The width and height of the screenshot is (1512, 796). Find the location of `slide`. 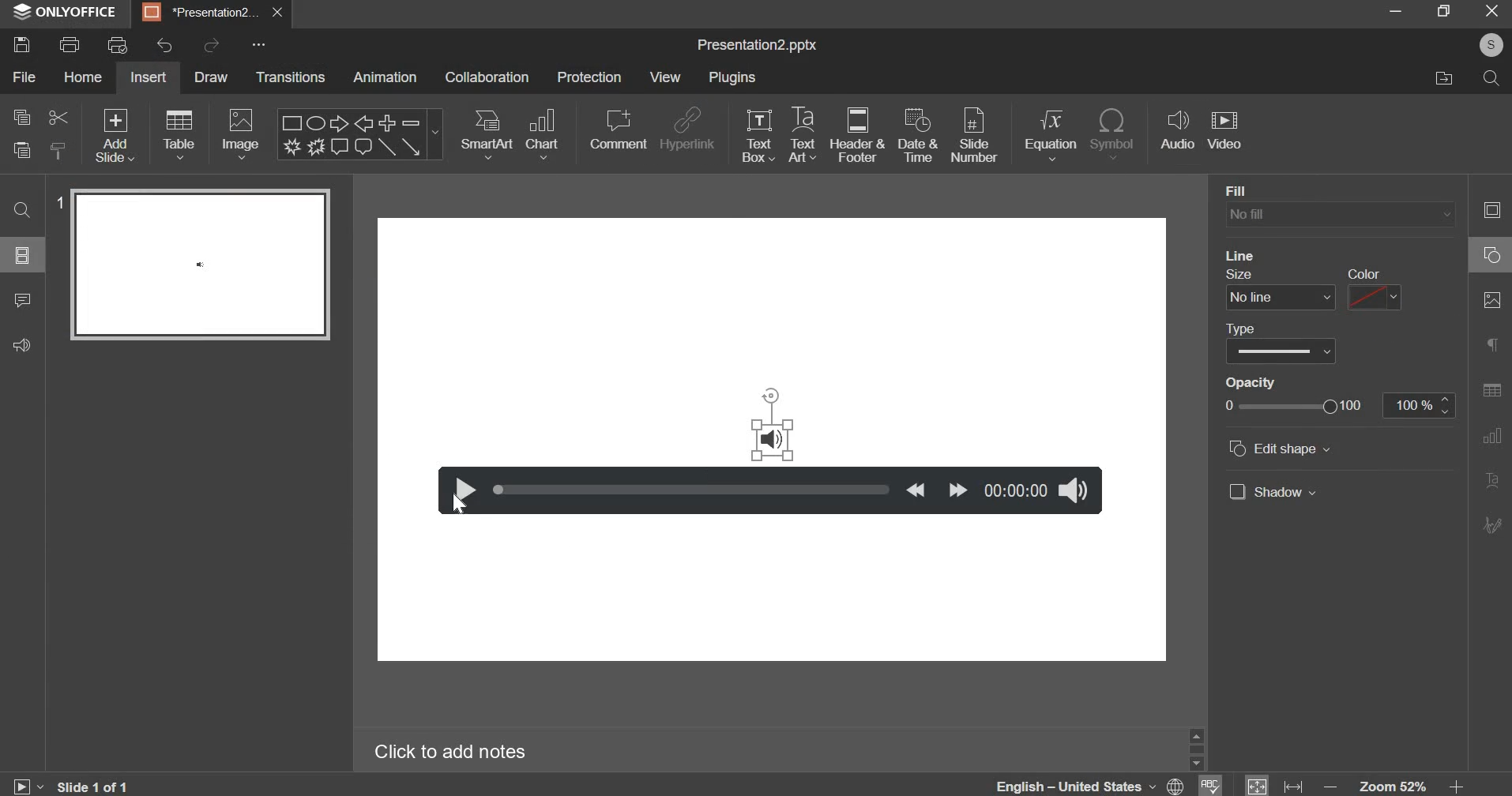

slide is located at coordinates (23, 256).